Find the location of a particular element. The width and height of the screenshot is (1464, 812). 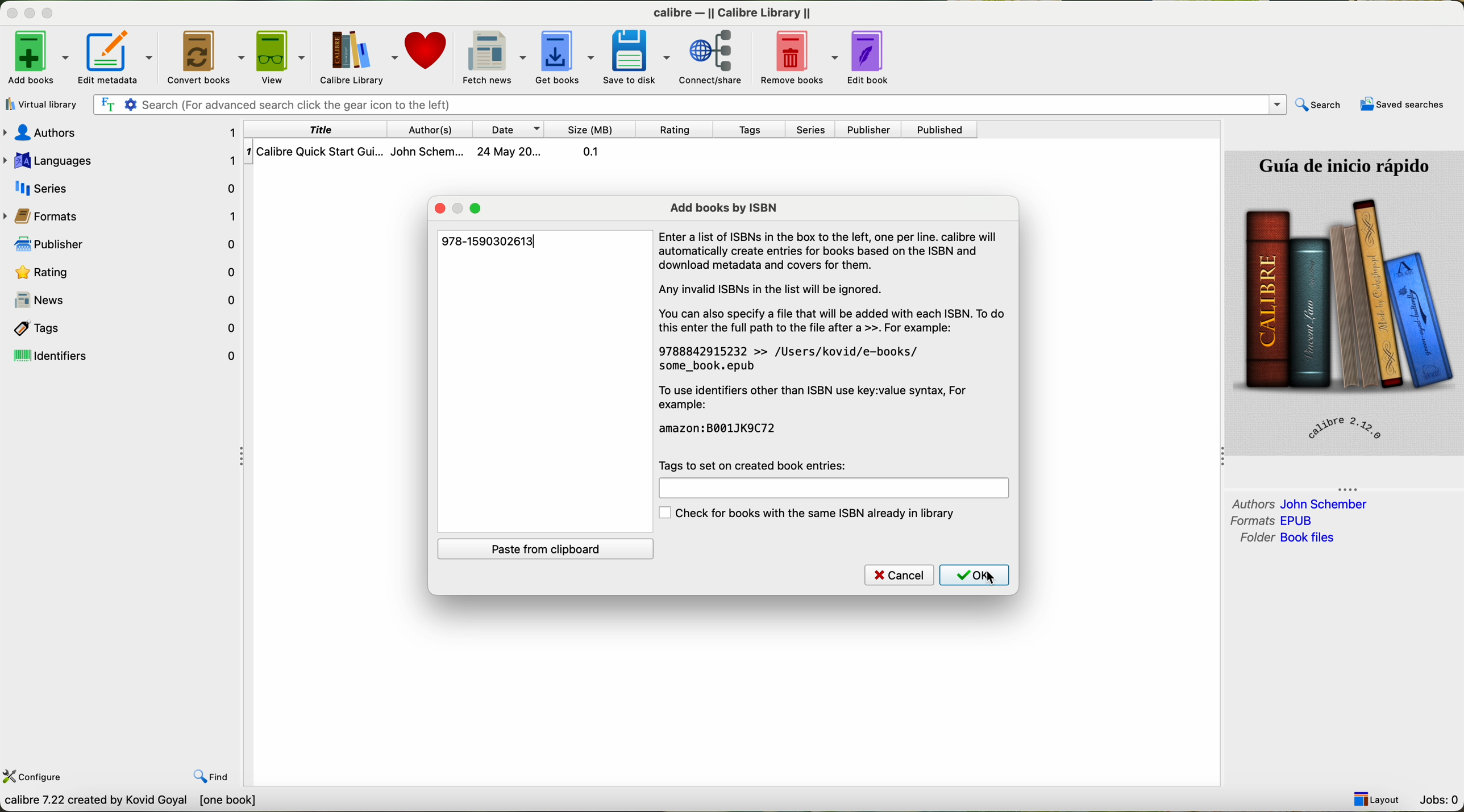

tags to set on created book entries is located at coordinates (759, 464).